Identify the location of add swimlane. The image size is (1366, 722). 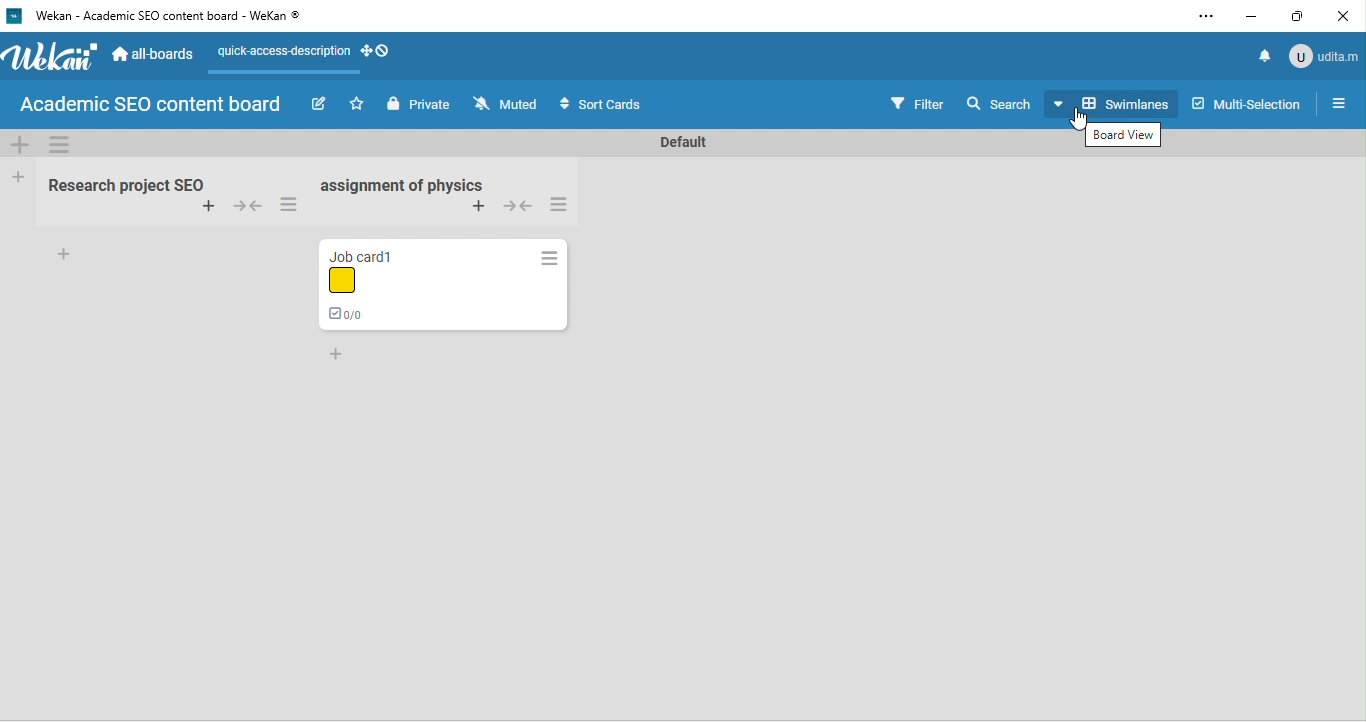
(23, 145).